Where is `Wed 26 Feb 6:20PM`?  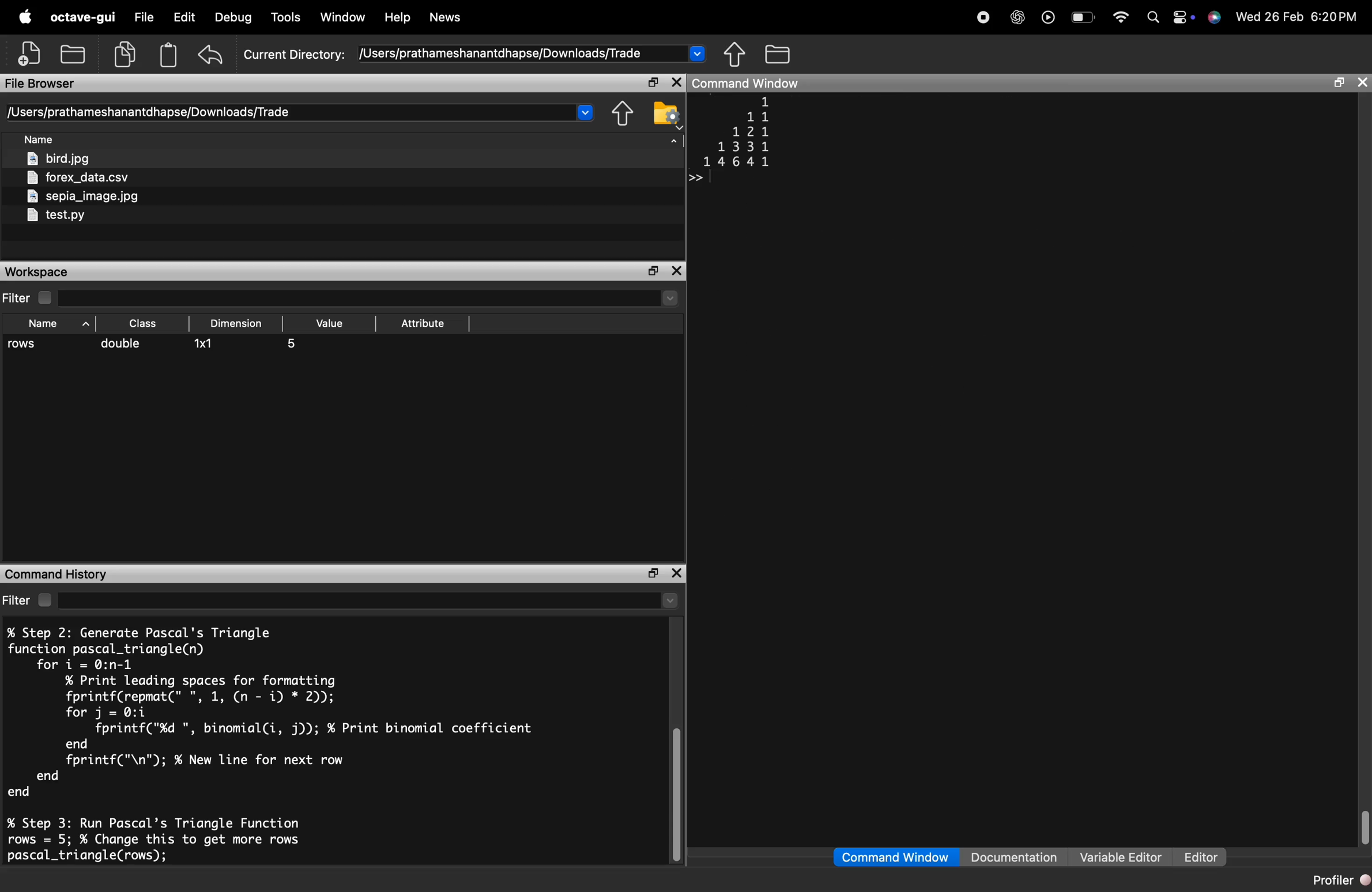 Wed 26 Feb 6:20PM is located at coordinates (1299, 16).